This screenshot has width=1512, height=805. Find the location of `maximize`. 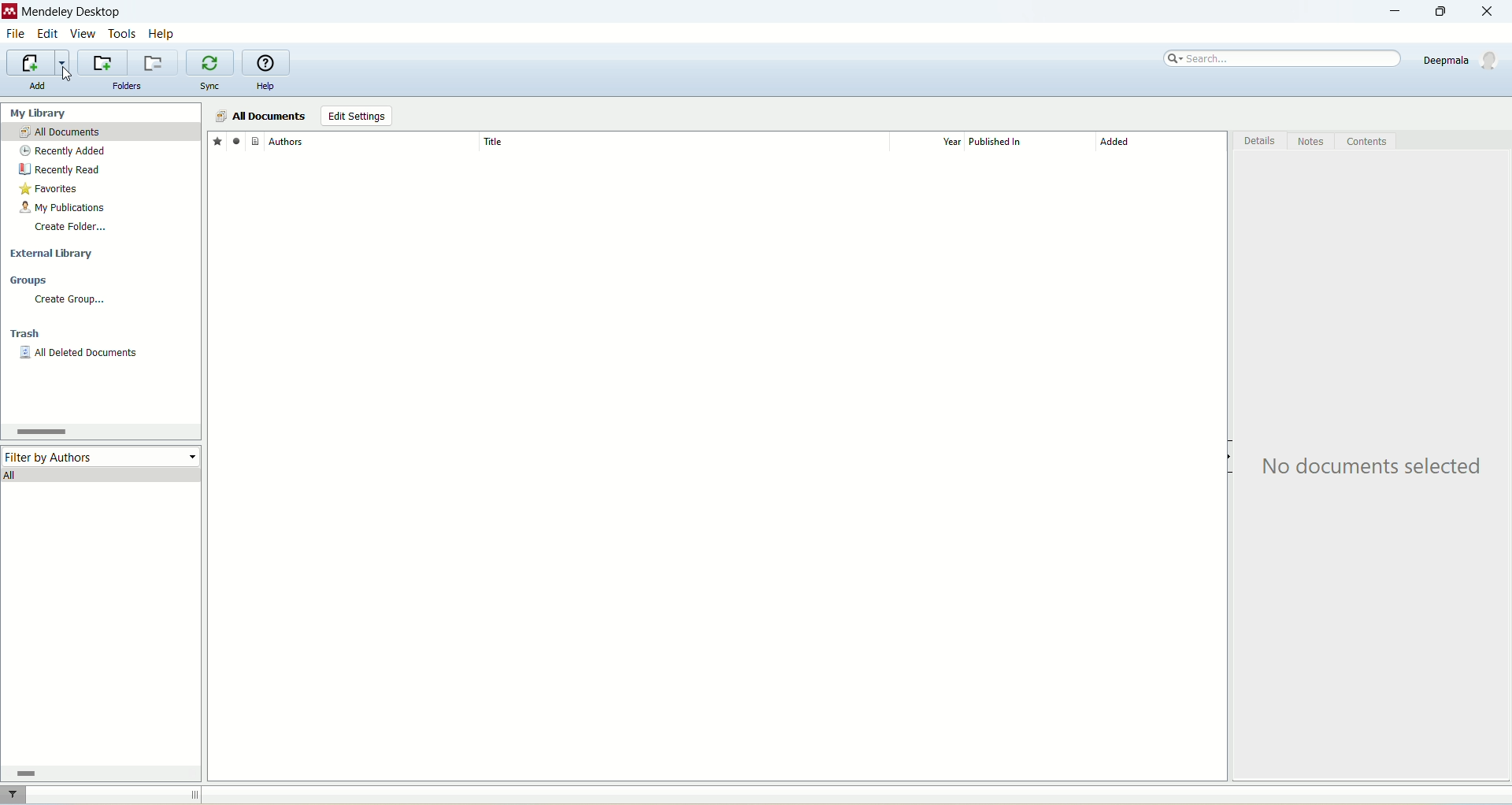

maximize is located at coordinates (1437, 12).